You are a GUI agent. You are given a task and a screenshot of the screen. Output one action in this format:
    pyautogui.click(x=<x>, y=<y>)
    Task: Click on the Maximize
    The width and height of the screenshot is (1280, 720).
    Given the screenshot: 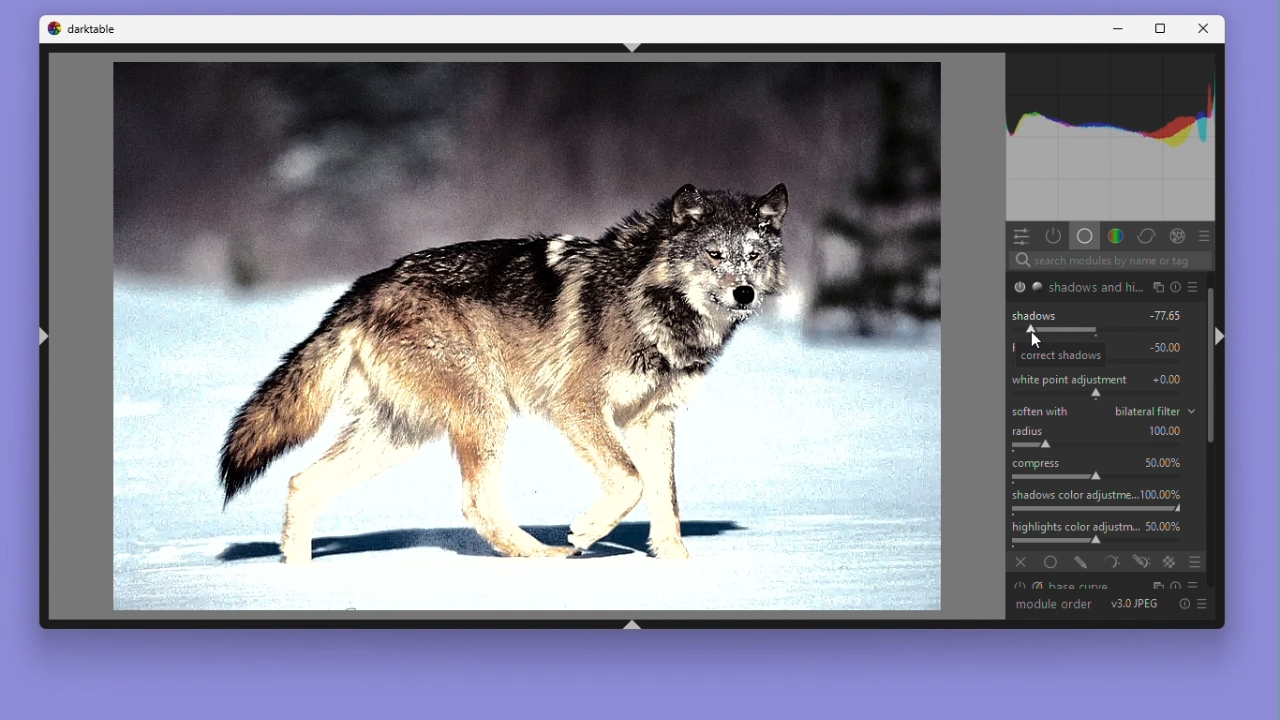 What is the action you would take?
    pyautogui.click(x=1164, y=30)
    